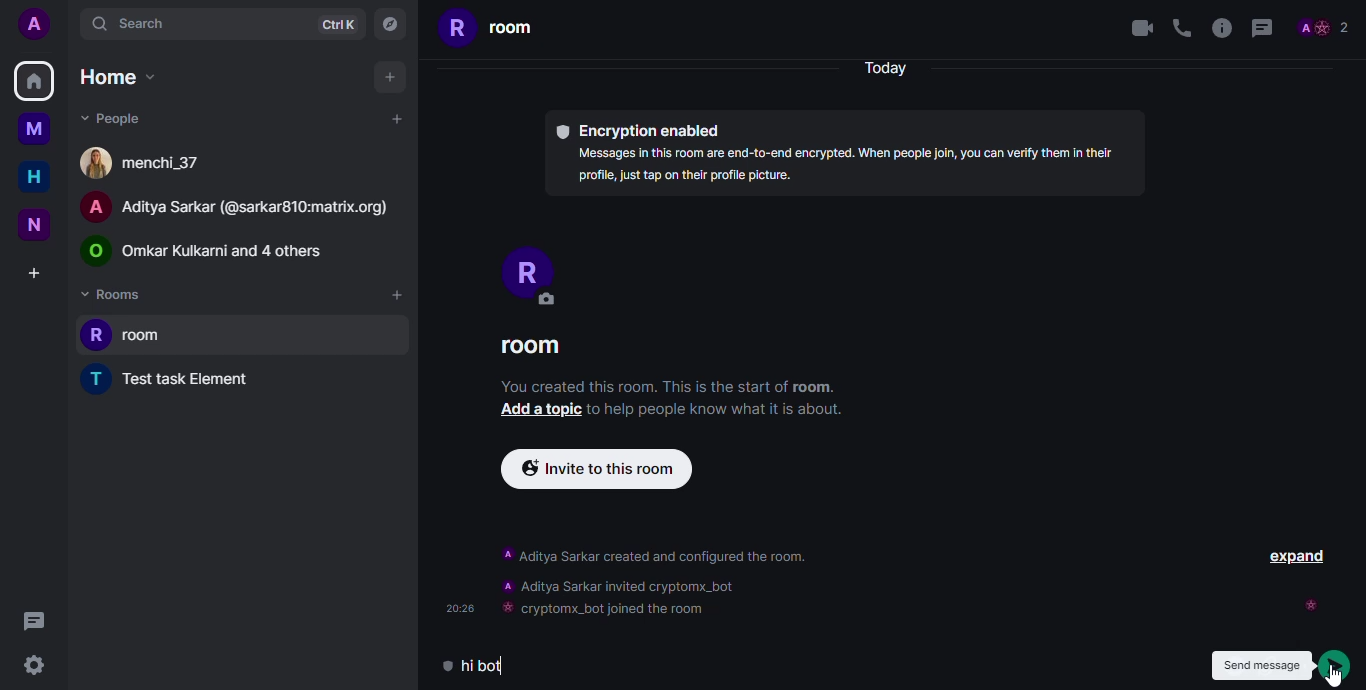 This screenshot has height=690, width=1366. What do you see at coordinates (33, 23) in the screenshot?
I see `add profile picture` at bounding box center [33, 23].